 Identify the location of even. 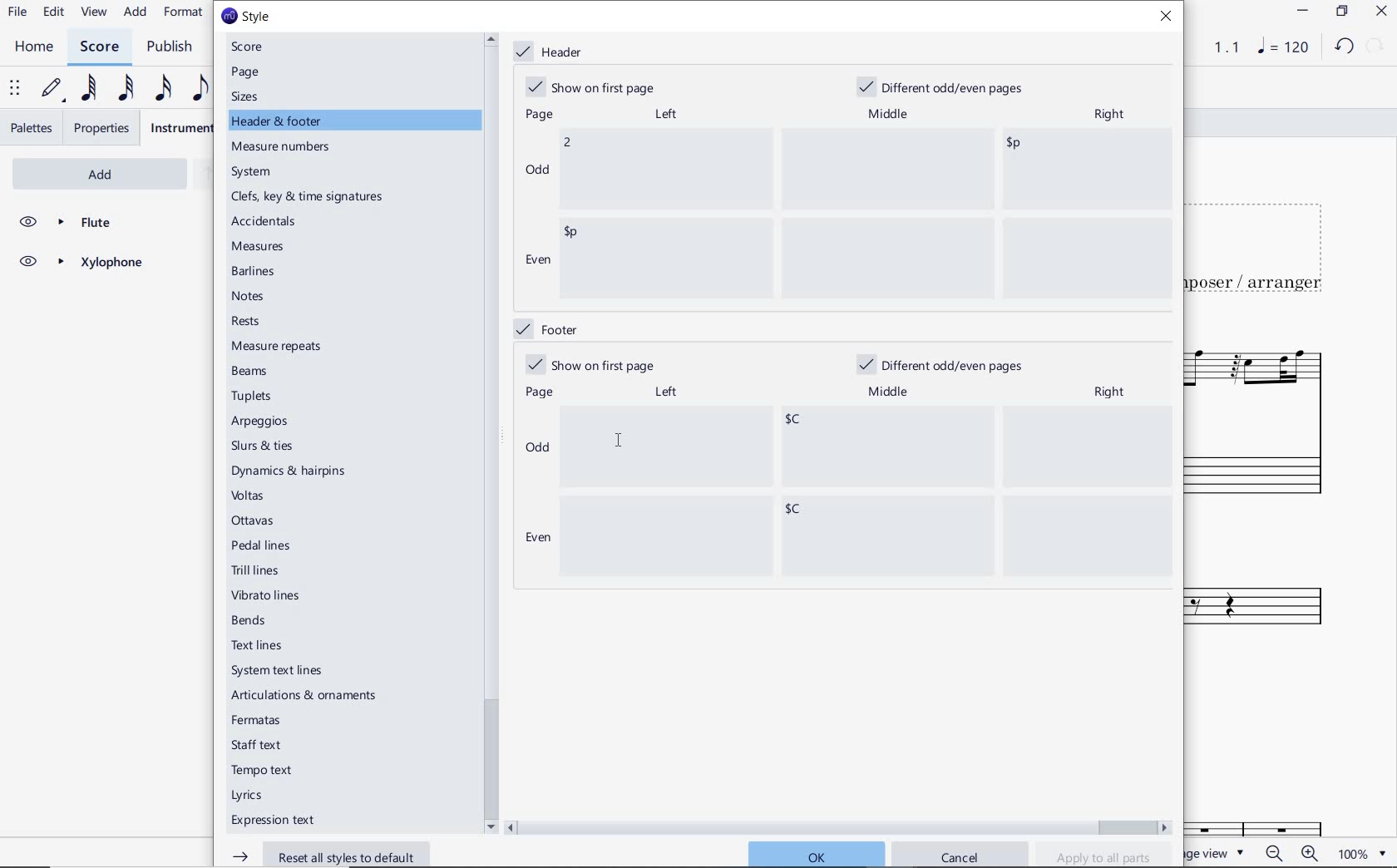
(536, 262).